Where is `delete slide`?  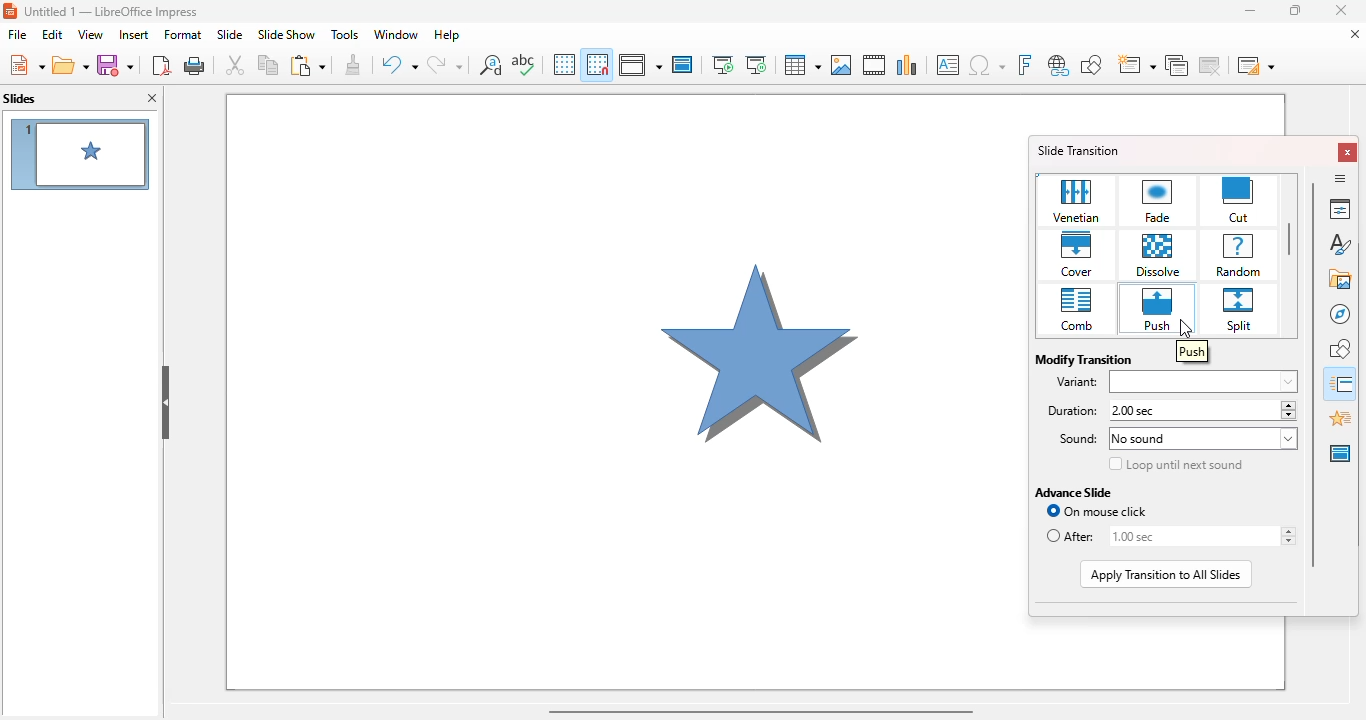 delete slide is located at coordinates (1211, 65).